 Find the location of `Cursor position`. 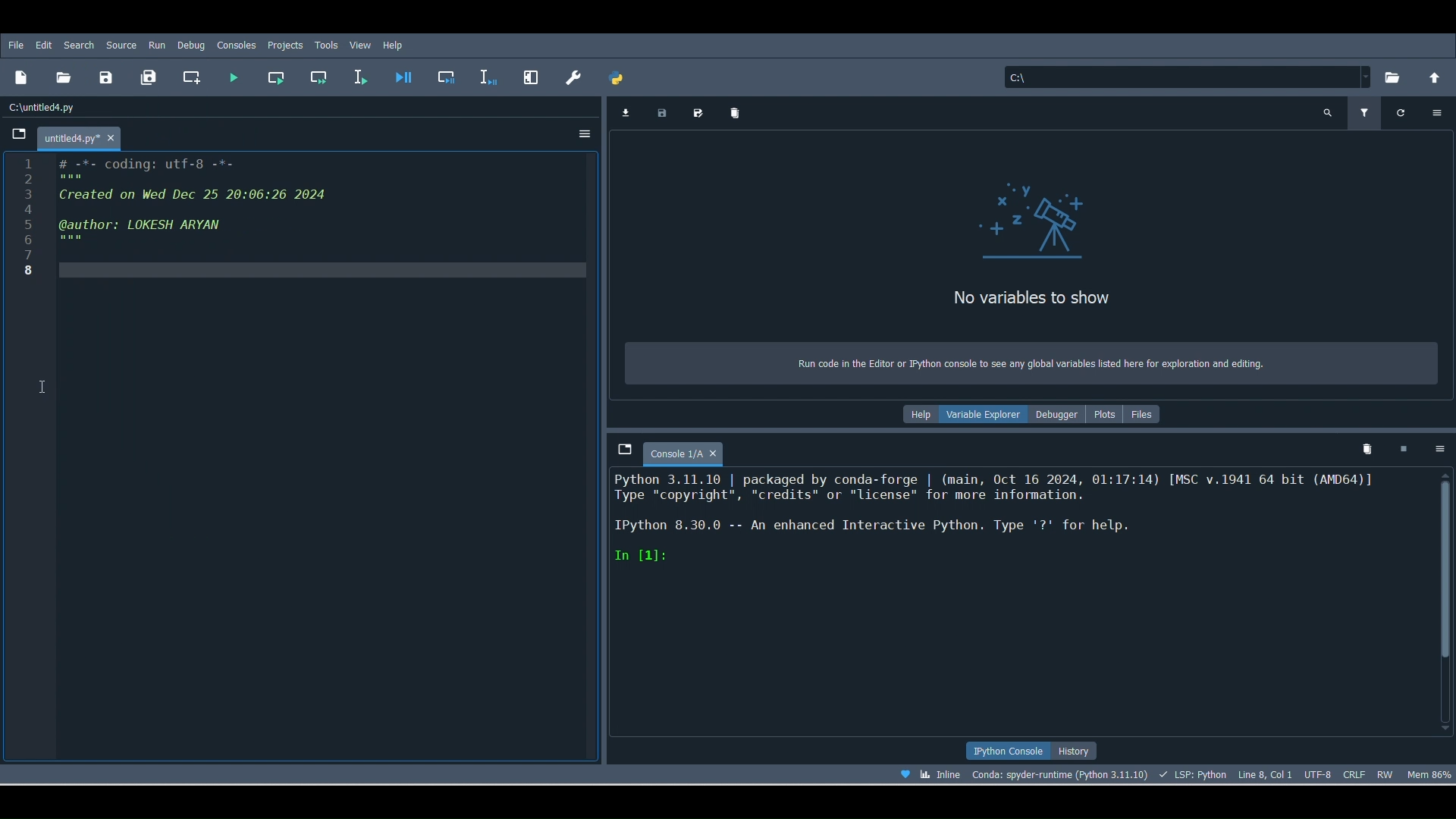

Cursor position is located at coordinates (1265, 771).